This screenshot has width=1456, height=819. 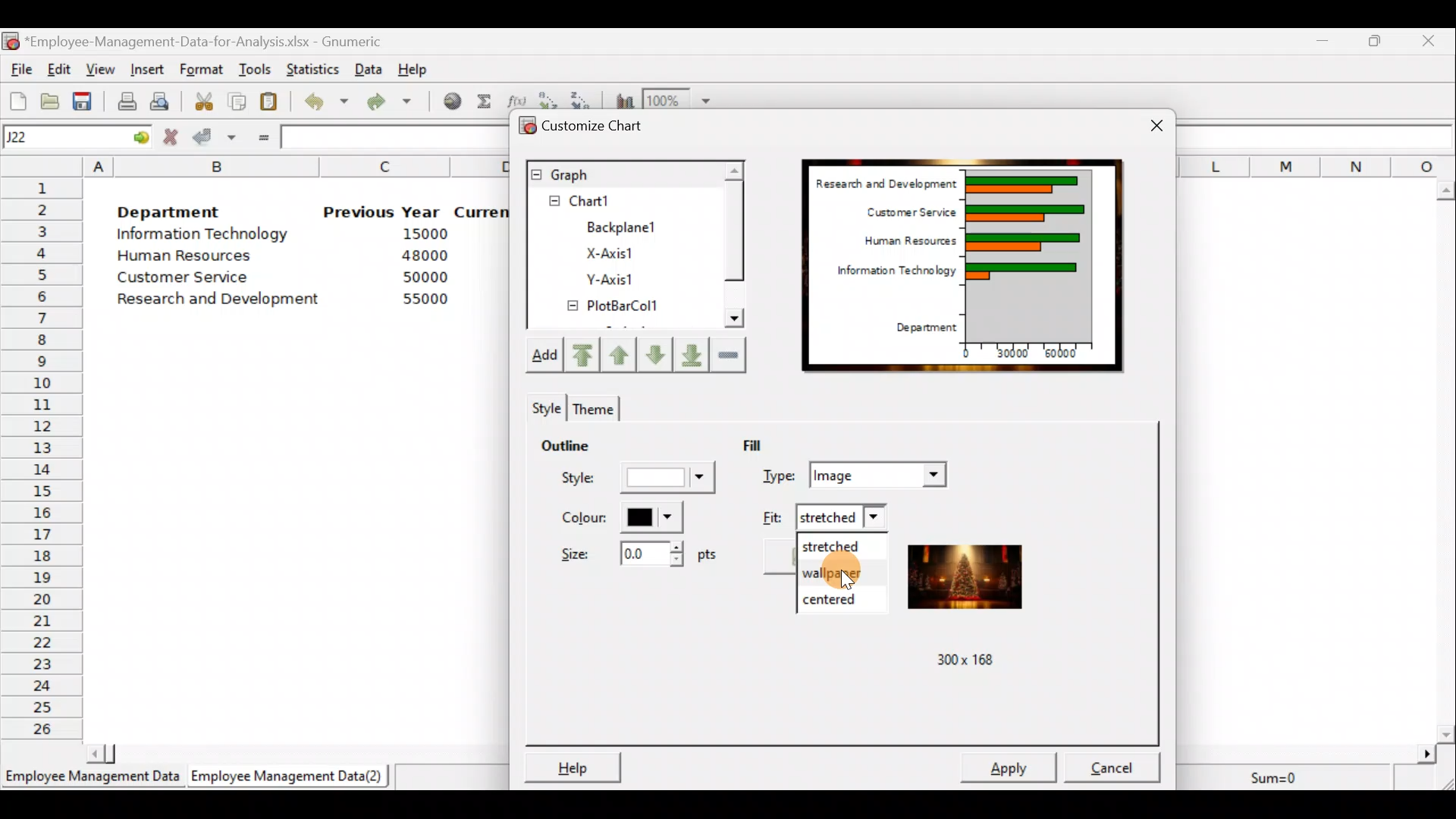 I want to click on Undo last action, so click(x=328, y=105).